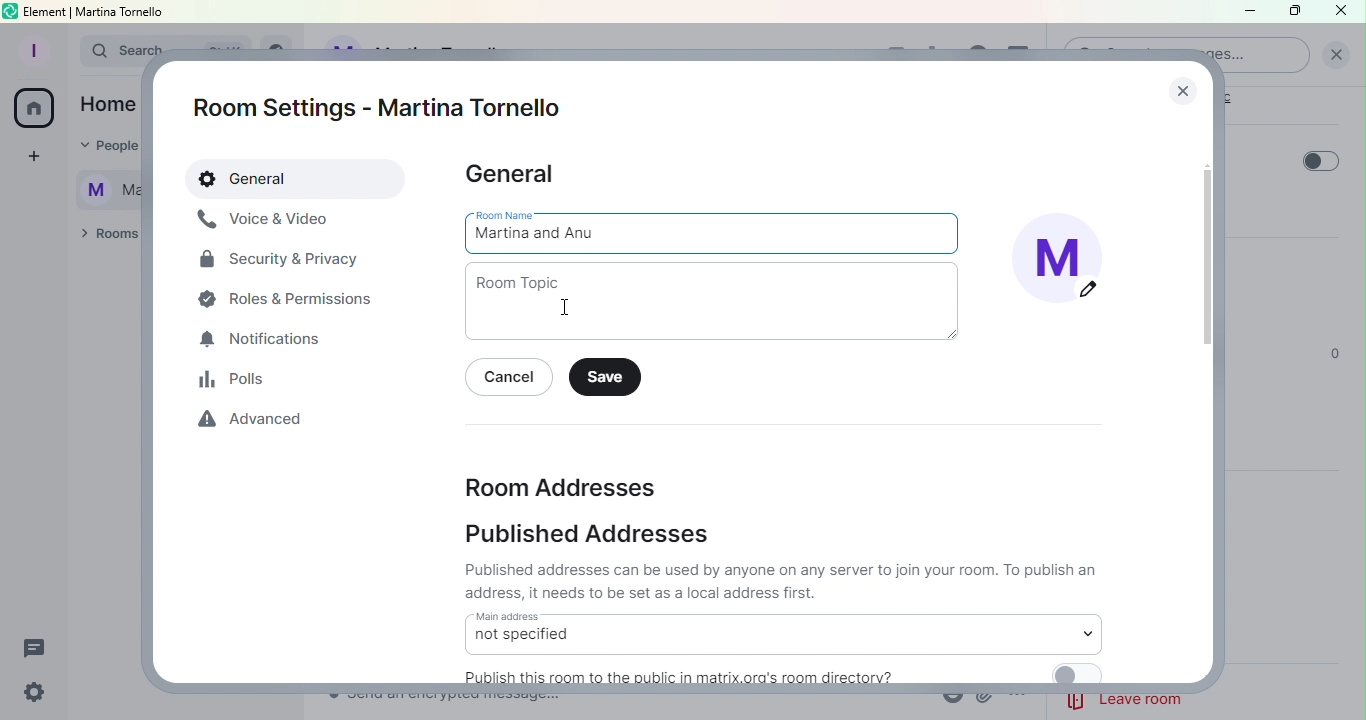  Describe the element at coordinates (102, 147) in the screenshot. I see `People` at that location.